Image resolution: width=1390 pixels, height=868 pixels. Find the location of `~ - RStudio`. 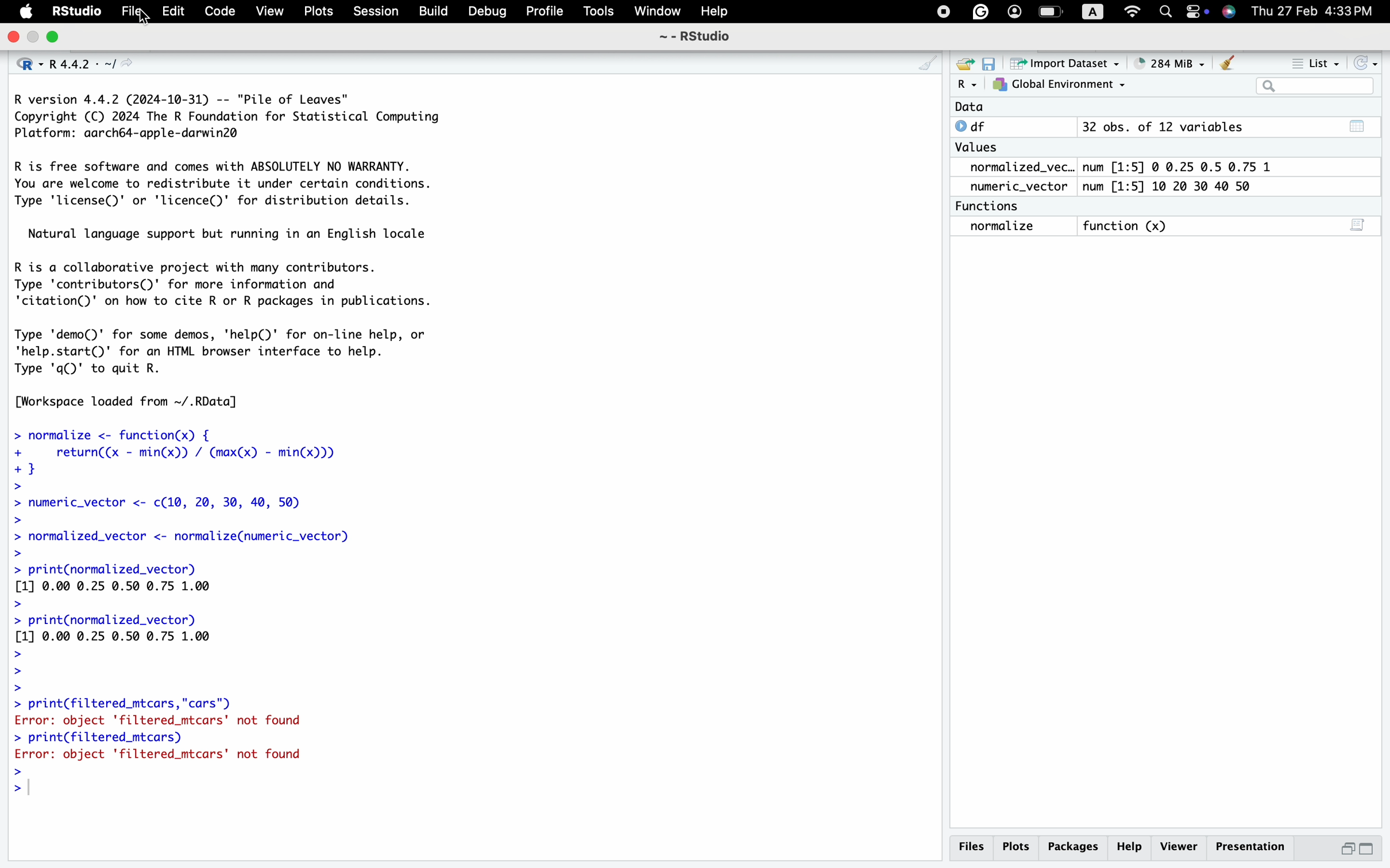

~ - RStudio is located at coordinates (700, 36).